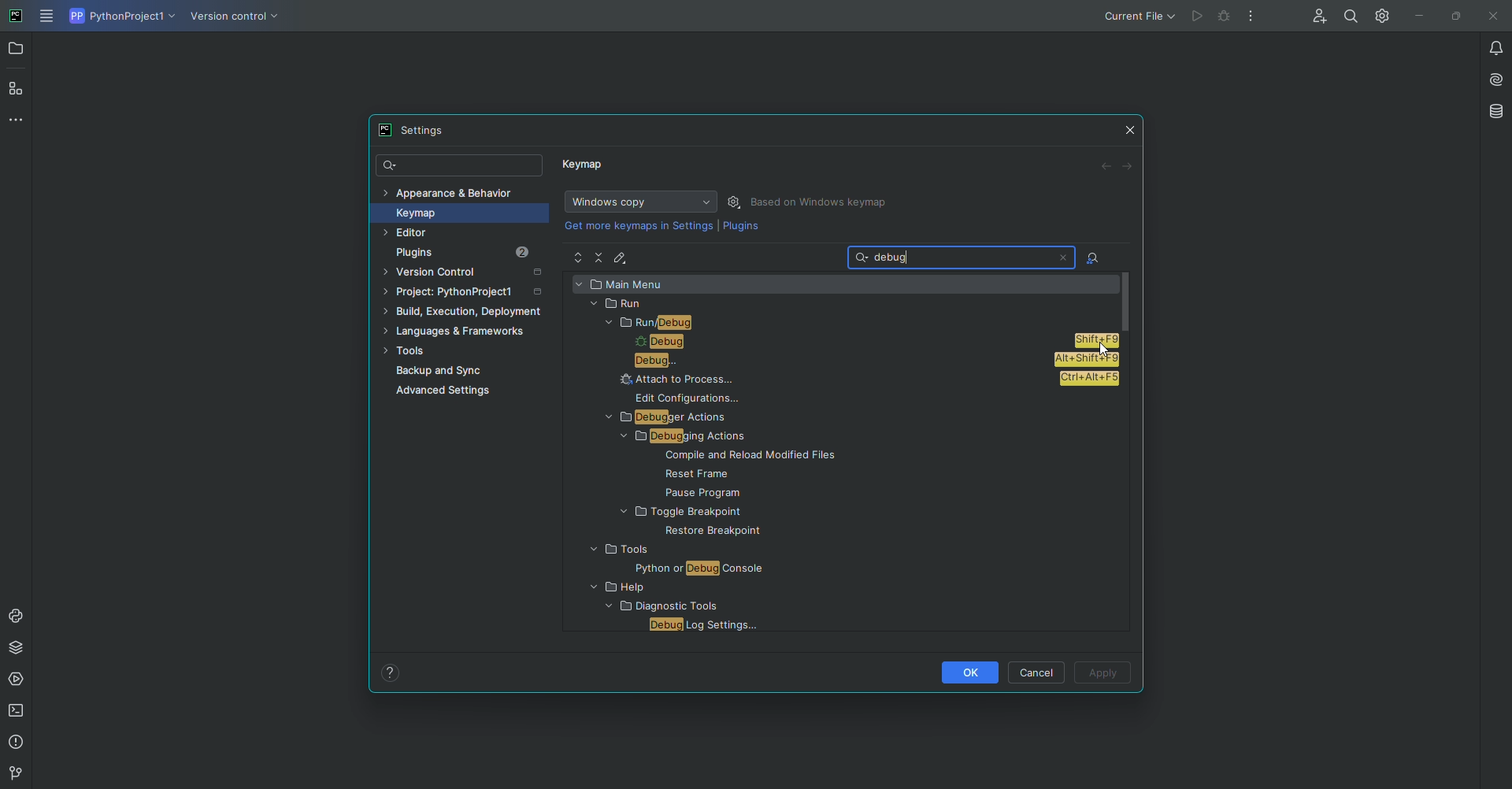 The width and height of the screenshot is (1512, 789). Describe the element at coordinates (474, 253) in the screenshot. I see `Plugins` at that location.